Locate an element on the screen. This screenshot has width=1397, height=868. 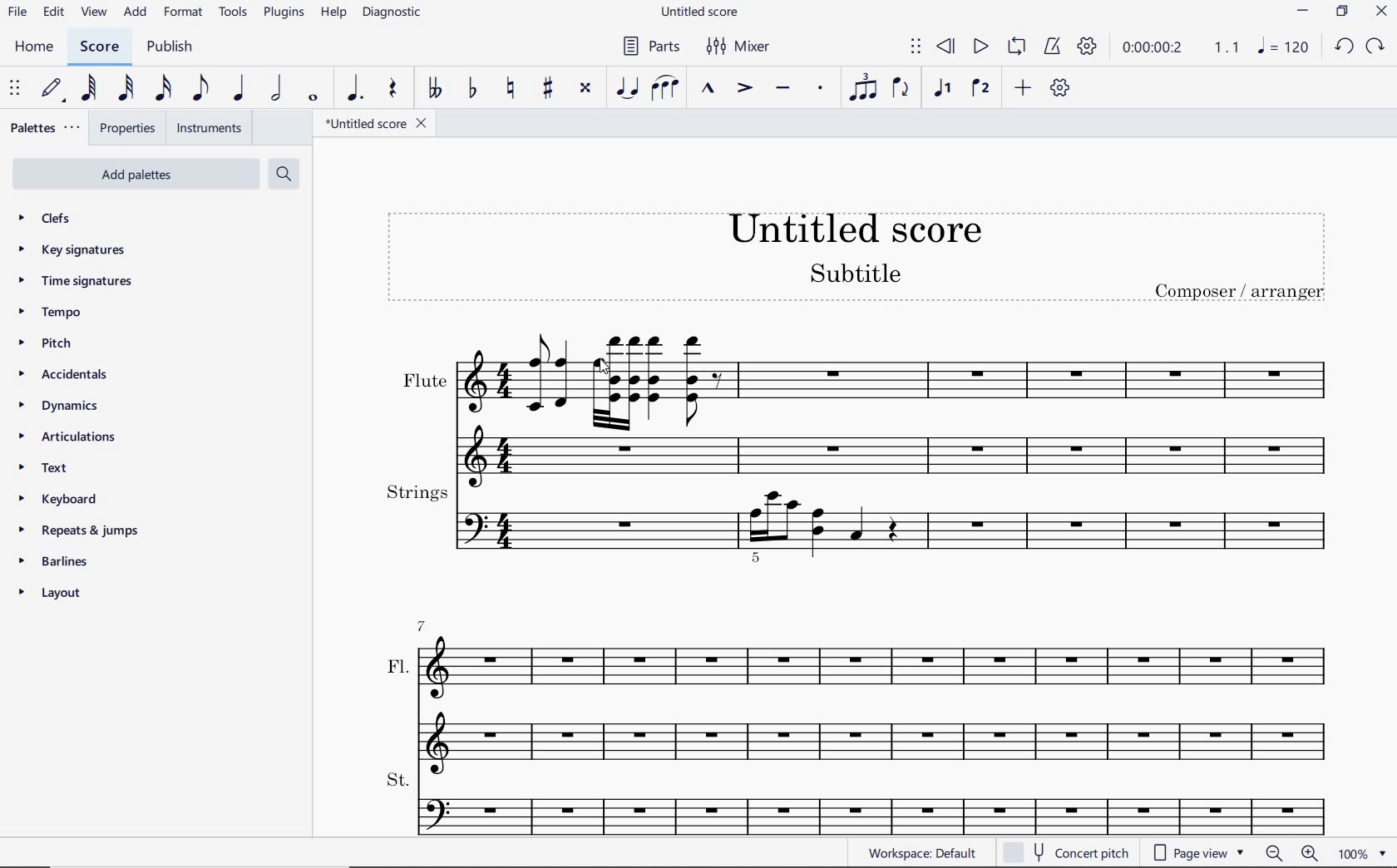
St. is located at coordinates (873, 800).